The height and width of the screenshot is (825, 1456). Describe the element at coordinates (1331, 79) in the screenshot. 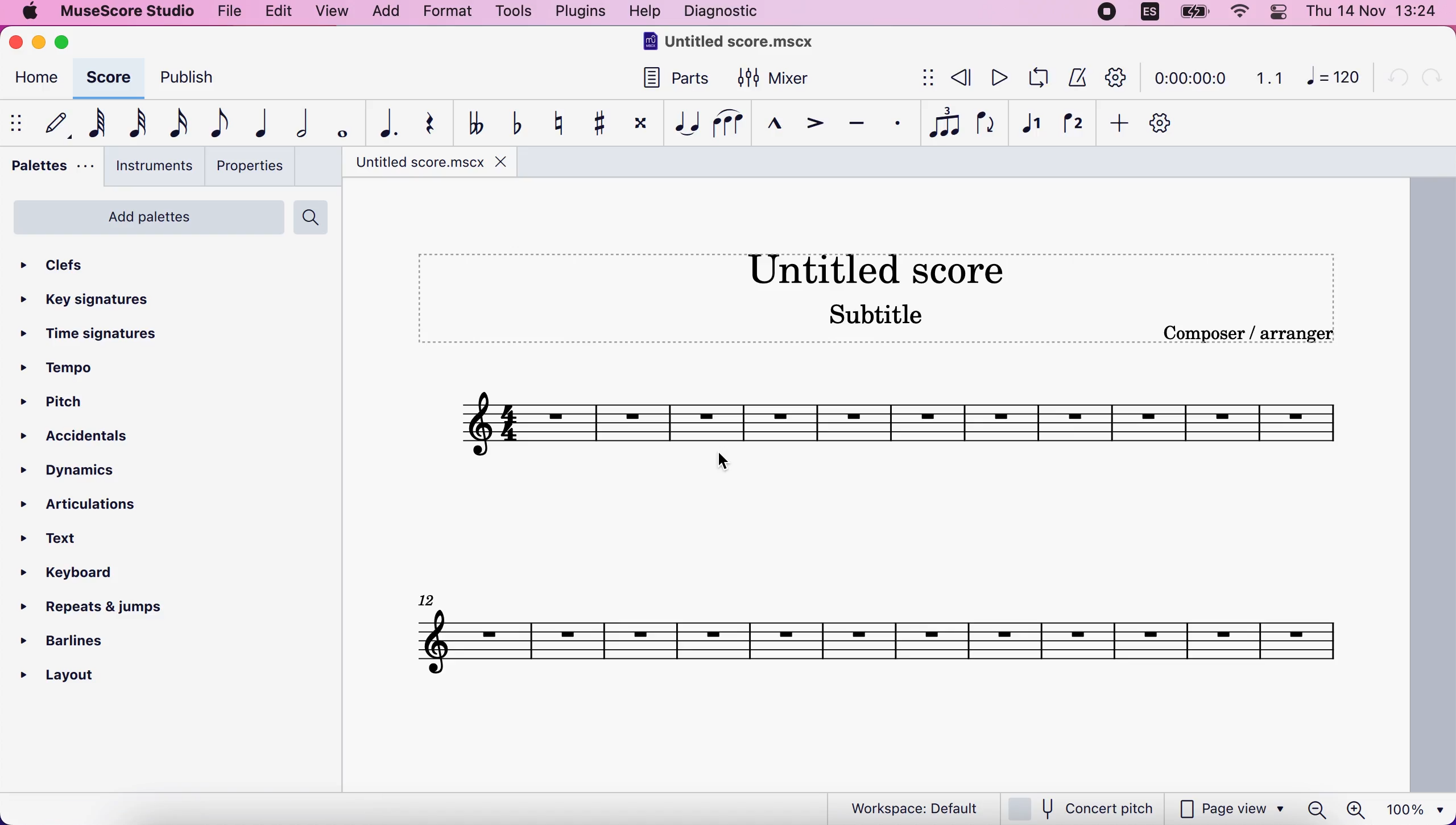

I see `= 120` at that location.